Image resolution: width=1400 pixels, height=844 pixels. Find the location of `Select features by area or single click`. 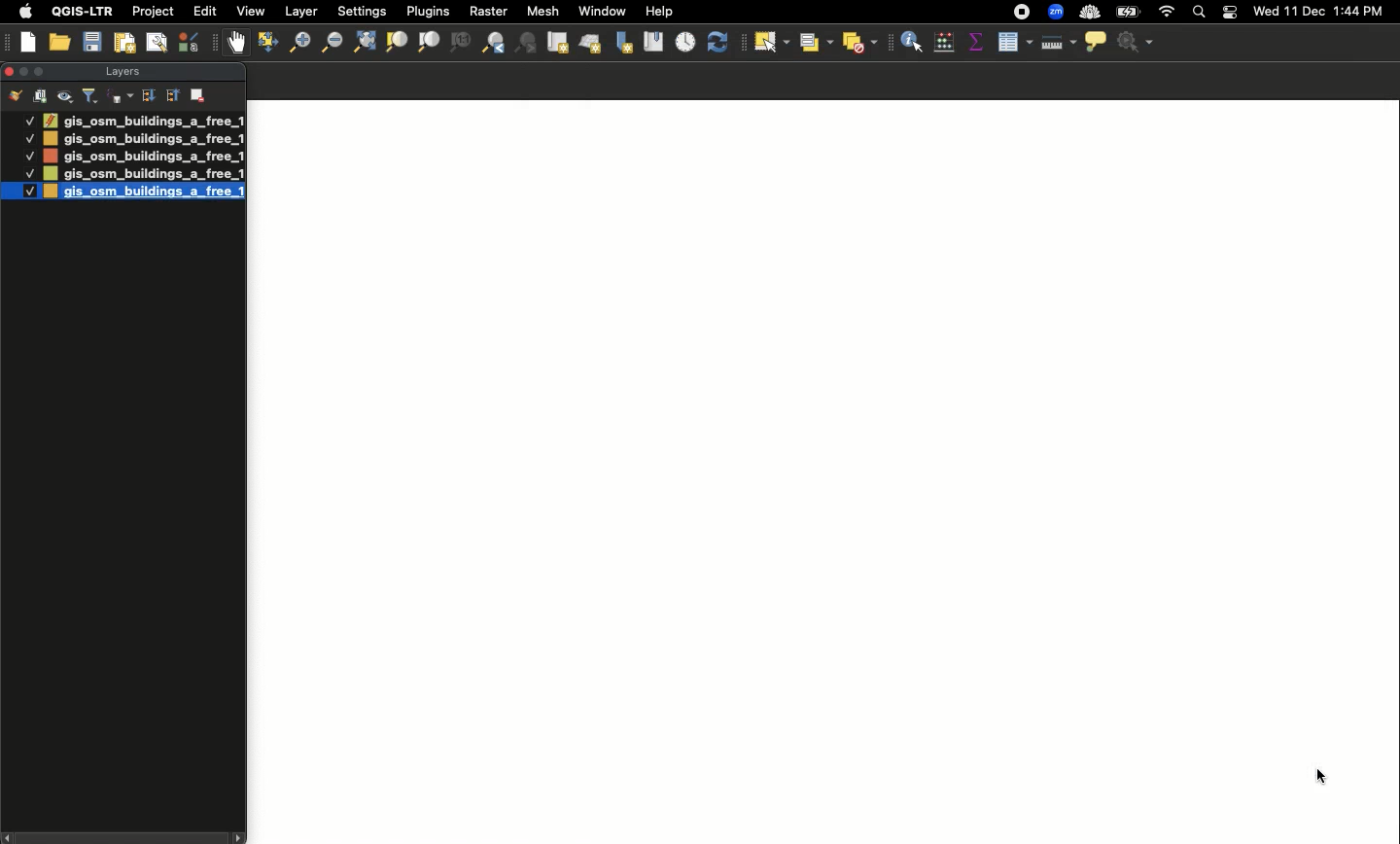

Select features by area or single click is located at coordinates (772, 43).